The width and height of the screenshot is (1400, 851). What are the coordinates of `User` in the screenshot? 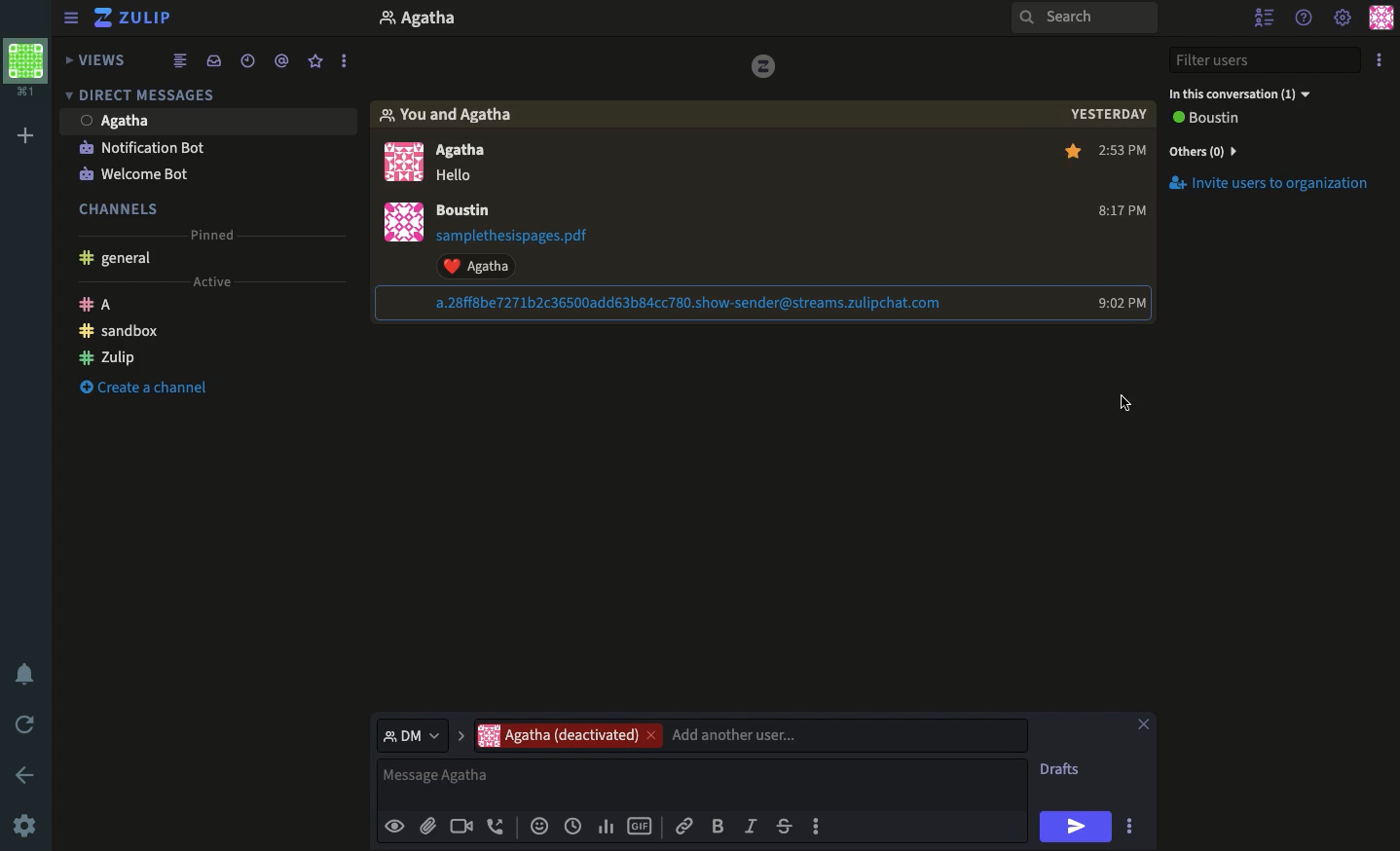 It's located at (459, 152).